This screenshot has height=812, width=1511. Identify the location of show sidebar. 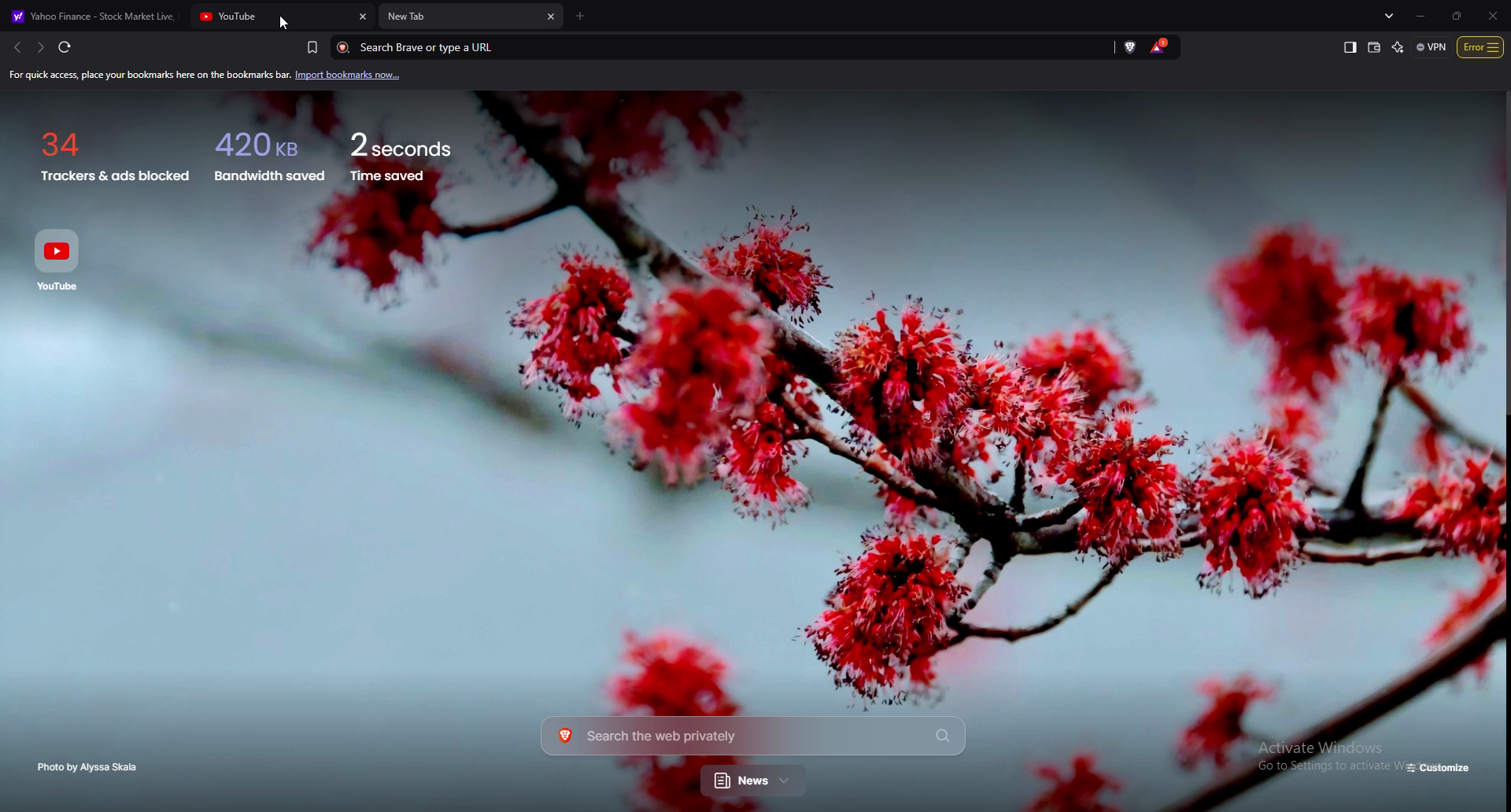
(1350, 48).